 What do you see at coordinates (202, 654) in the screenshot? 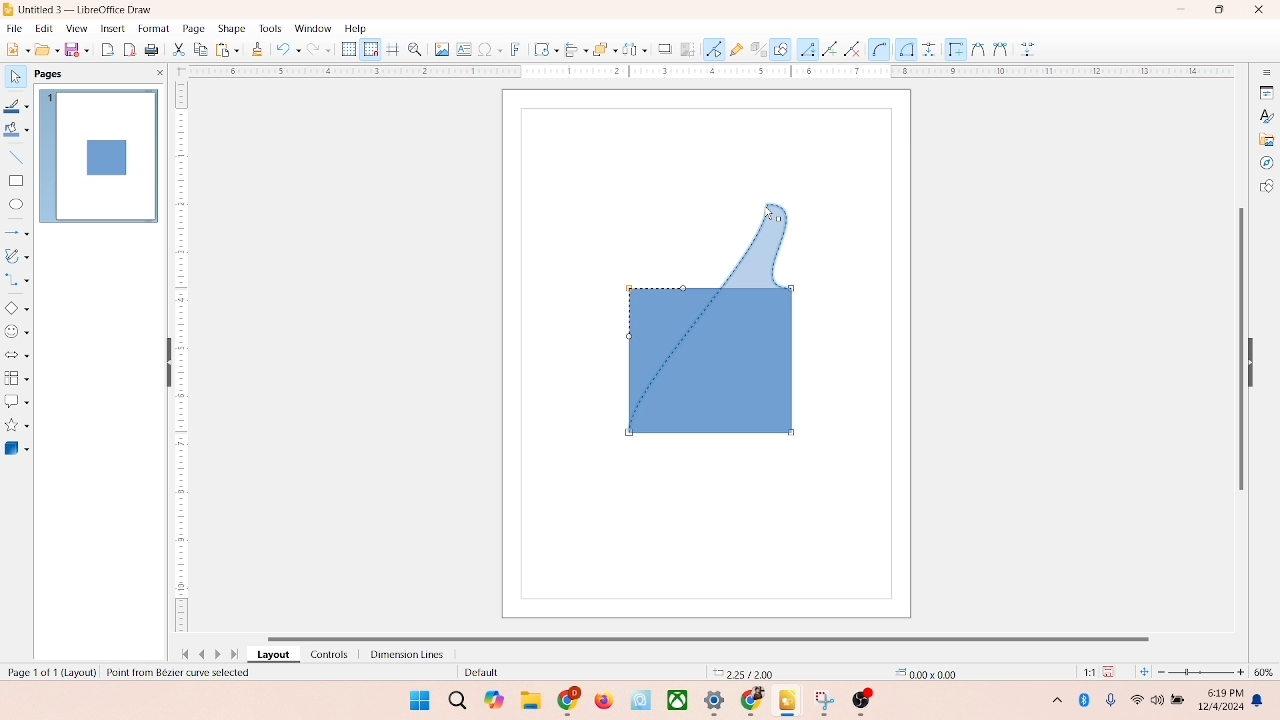
I see `previous page` at bounding box center [202, 654].